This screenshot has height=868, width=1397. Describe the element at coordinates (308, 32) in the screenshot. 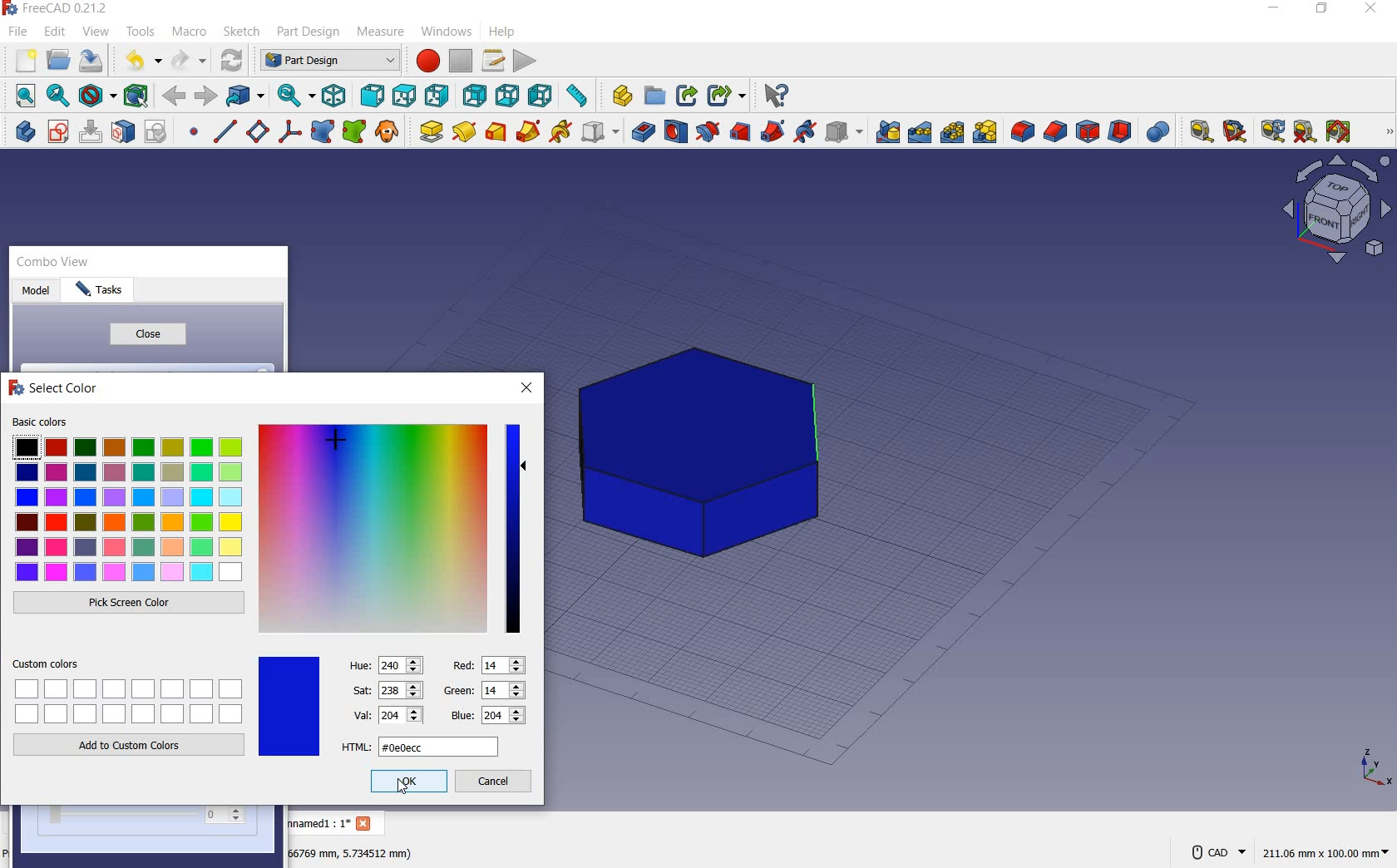

I see `part design` at that location.